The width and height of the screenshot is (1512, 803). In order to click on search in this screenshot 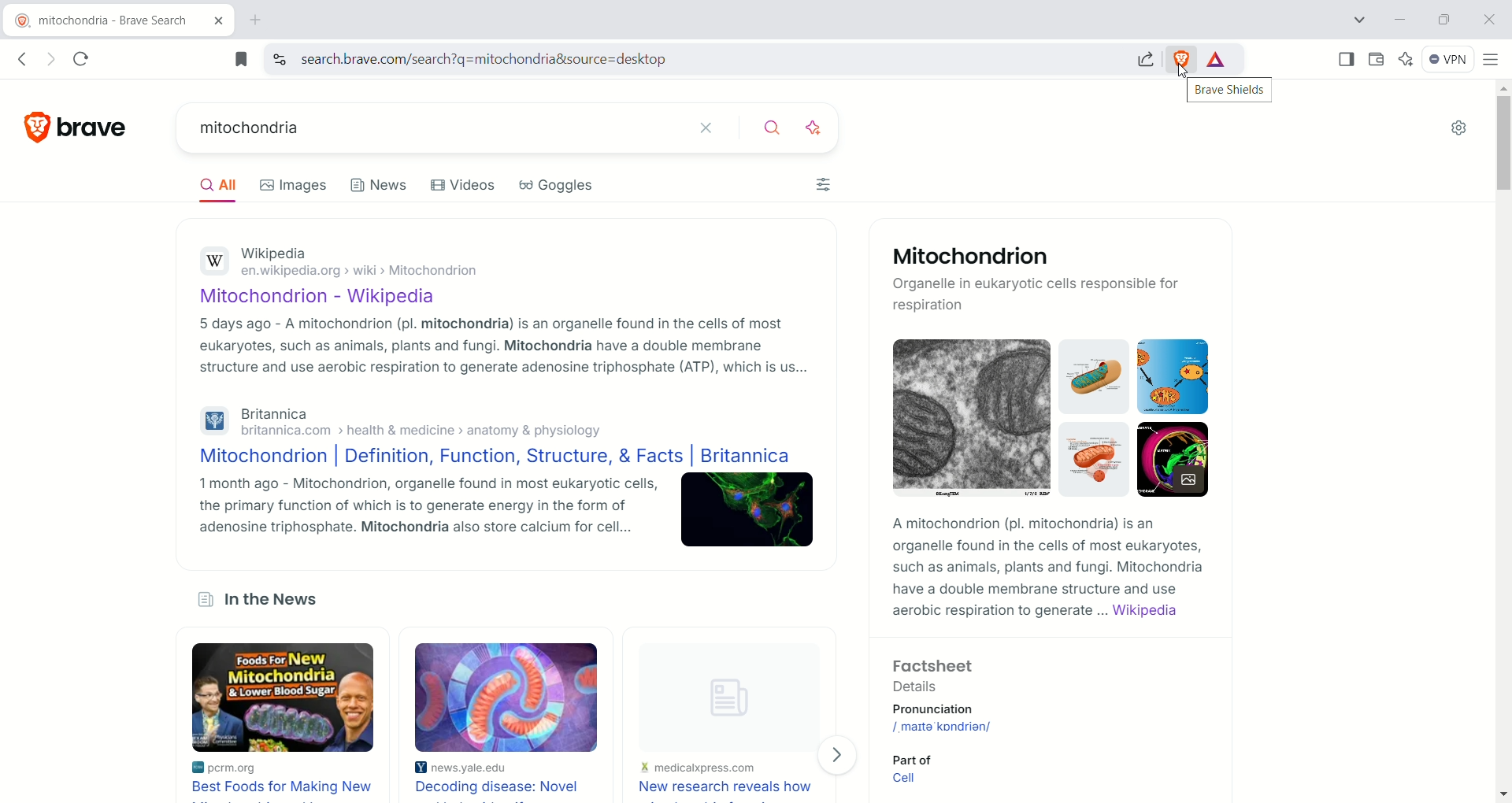, I will do `click(764, 126)`.